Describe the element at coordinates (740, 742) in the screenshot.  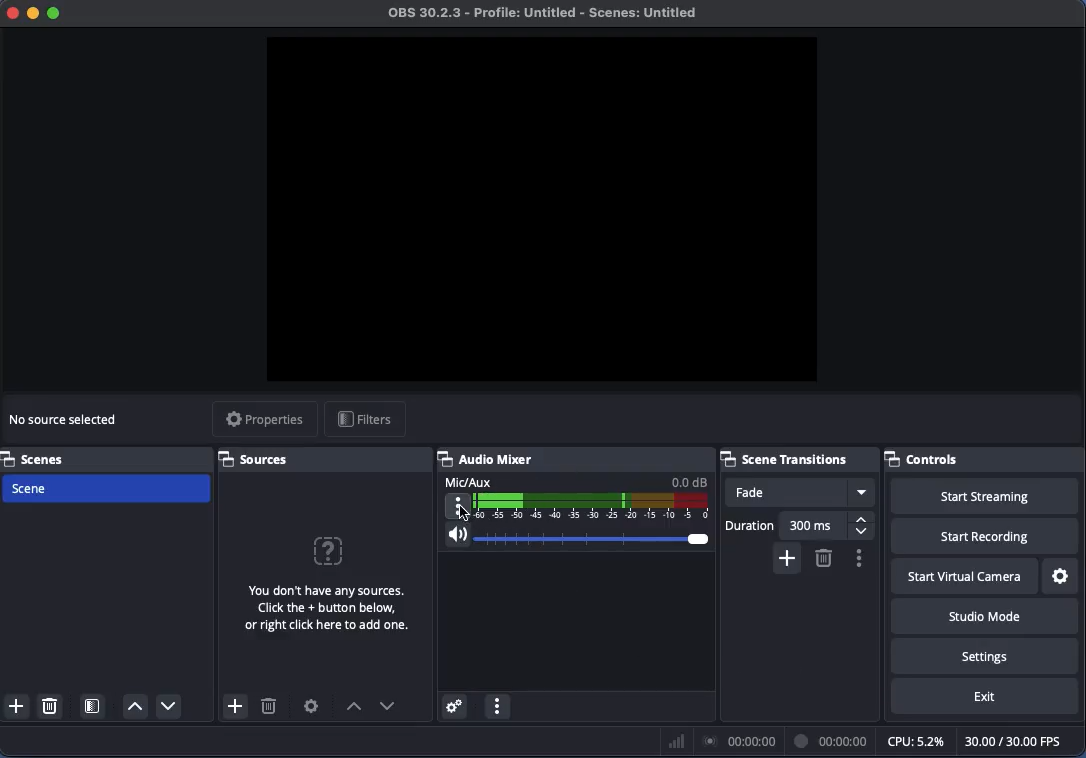
I see `Braodcast` at that location.